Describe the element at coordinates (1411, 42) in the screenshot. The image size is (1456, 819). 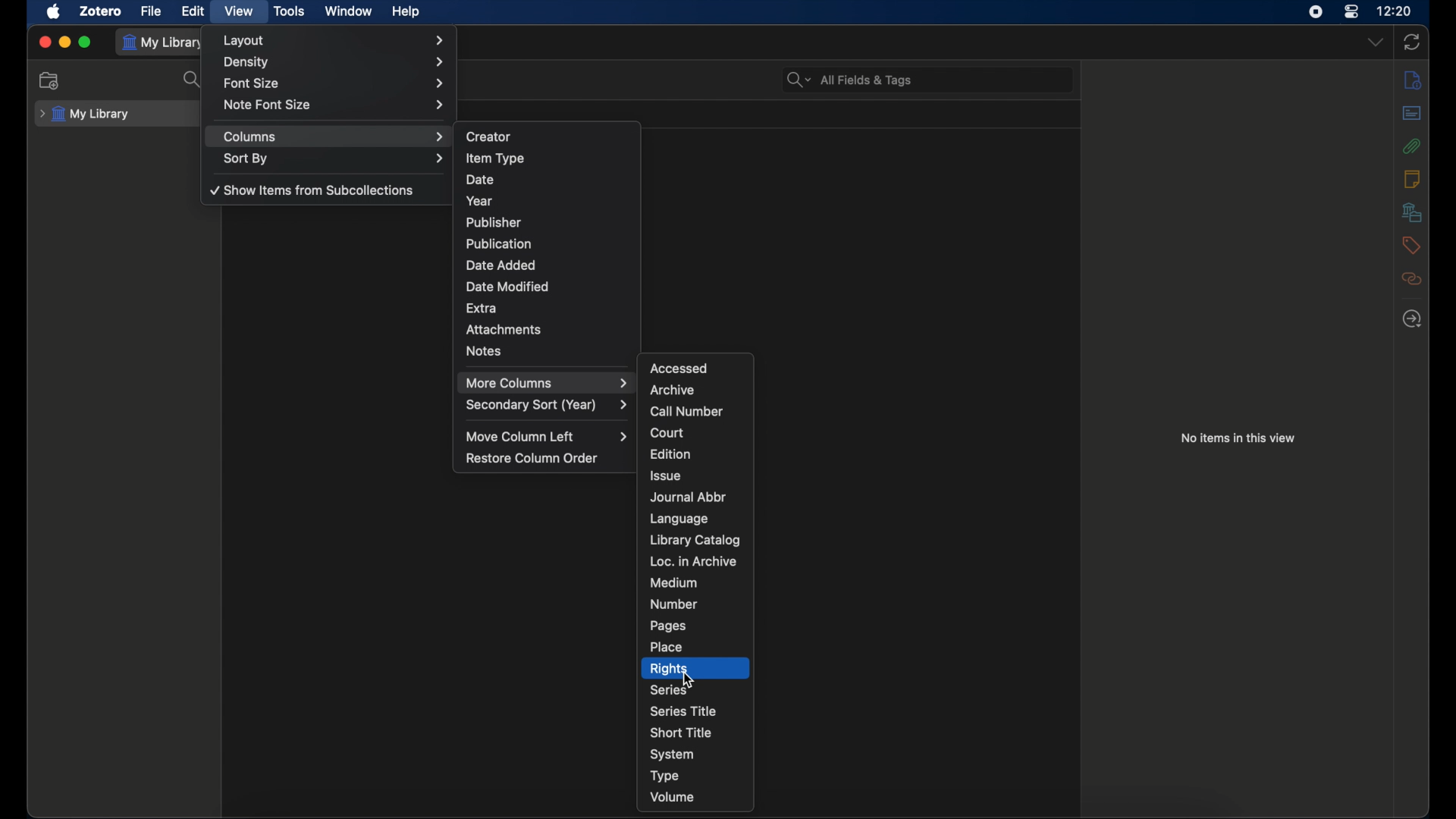
I see `sync` at that location.